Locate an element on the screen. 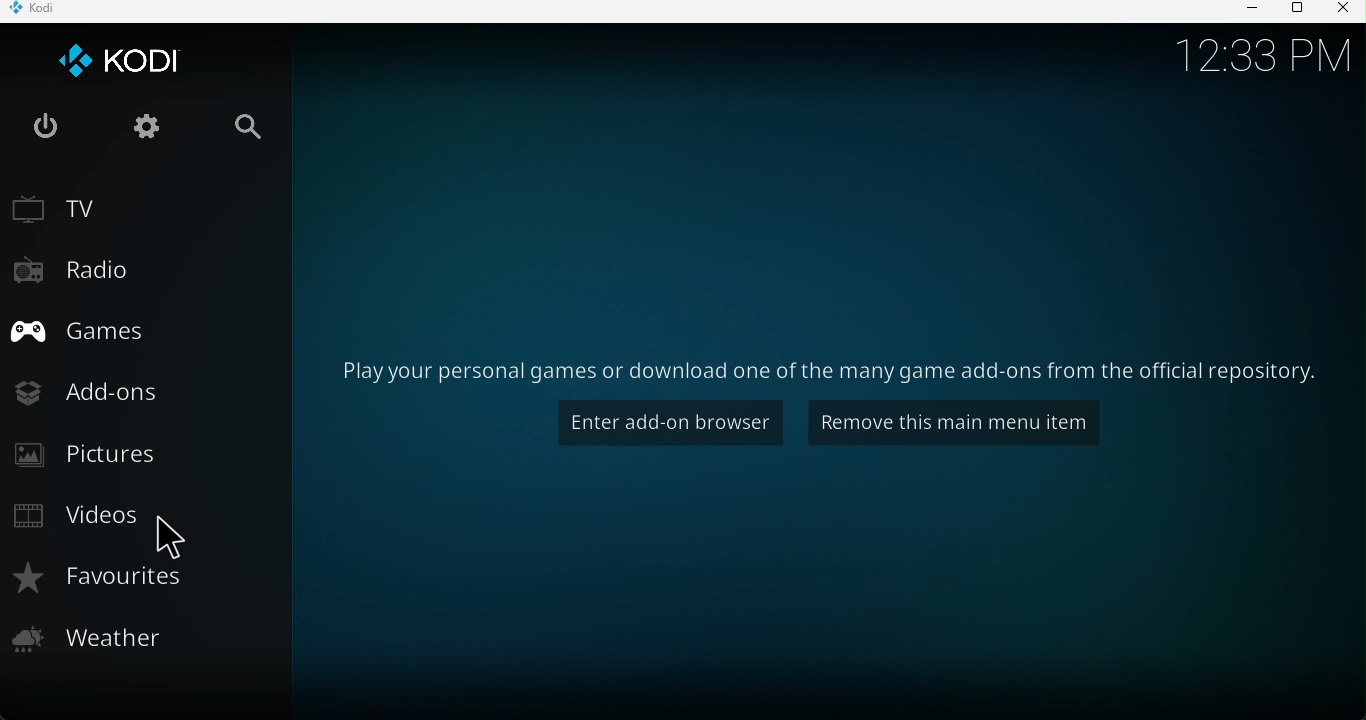 This screenshot has width=1366, height=720. Favourites is located at coordinates (121, 589).